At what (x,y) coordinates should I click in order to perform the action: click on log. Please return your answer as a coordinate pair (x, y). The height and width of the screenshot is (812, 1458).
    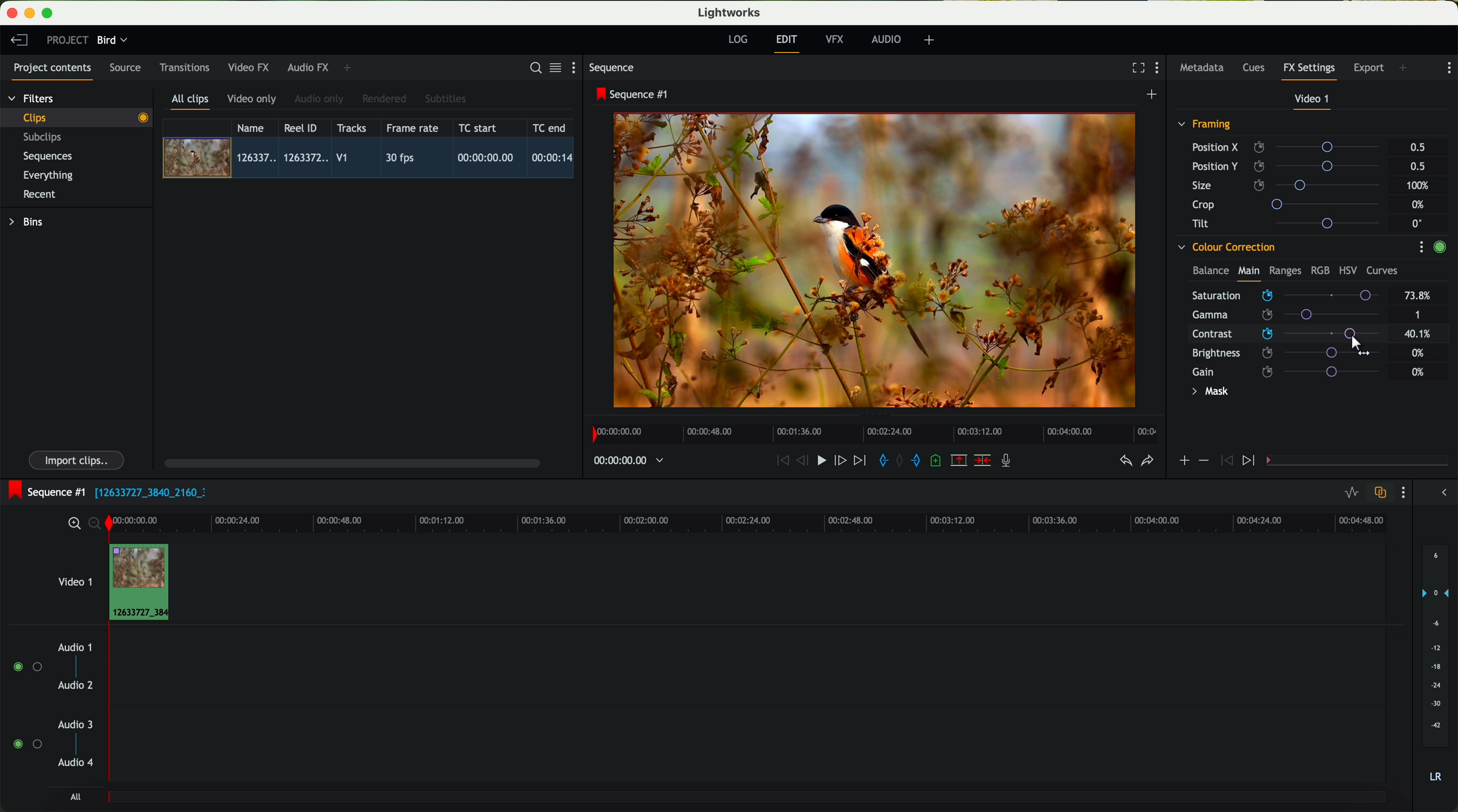
    Looking at the image, I should click on (737, 40).